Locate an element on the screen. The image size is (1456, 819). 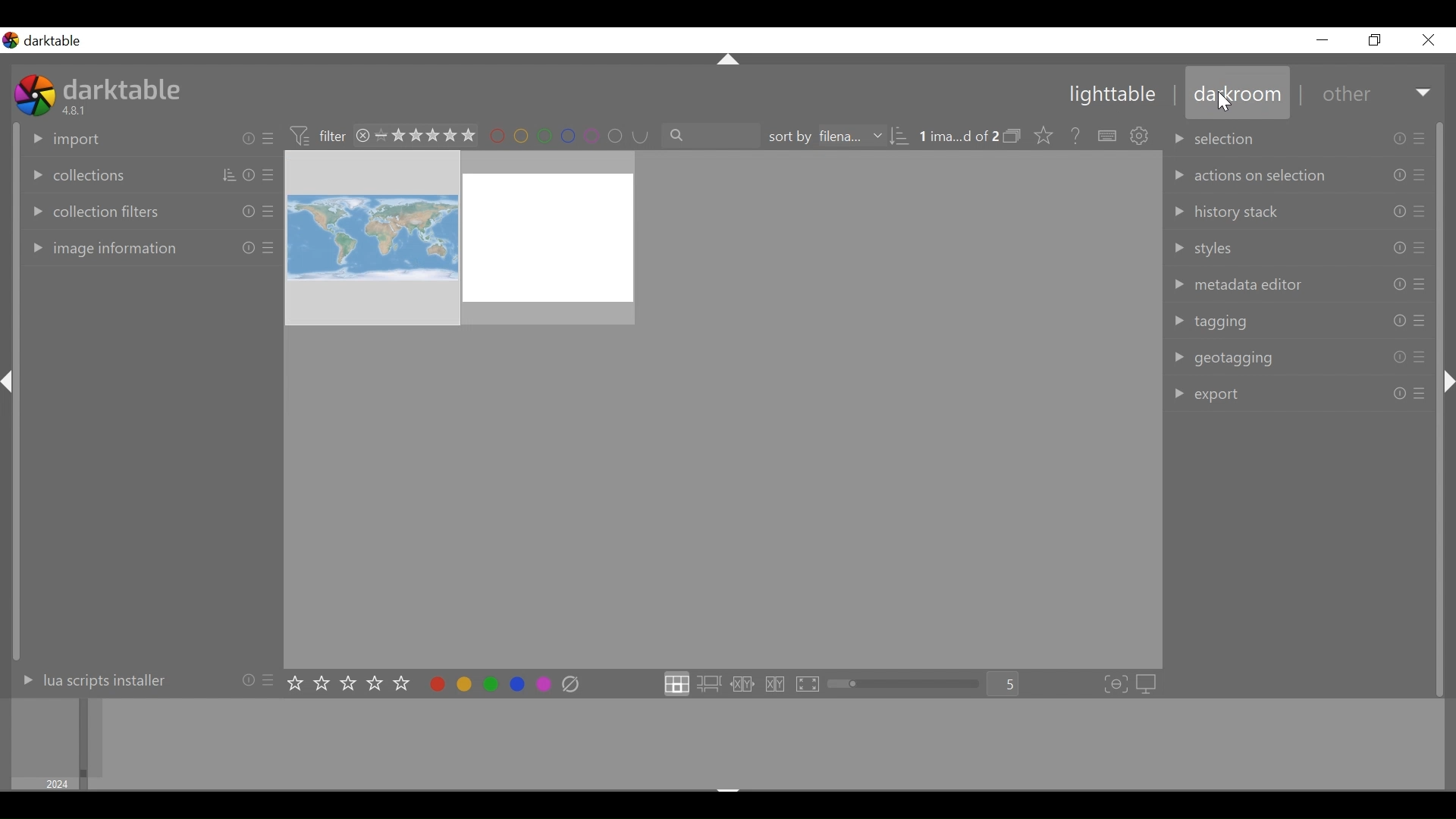
click to change the type of overlays is located at coordinates (1046, 134).